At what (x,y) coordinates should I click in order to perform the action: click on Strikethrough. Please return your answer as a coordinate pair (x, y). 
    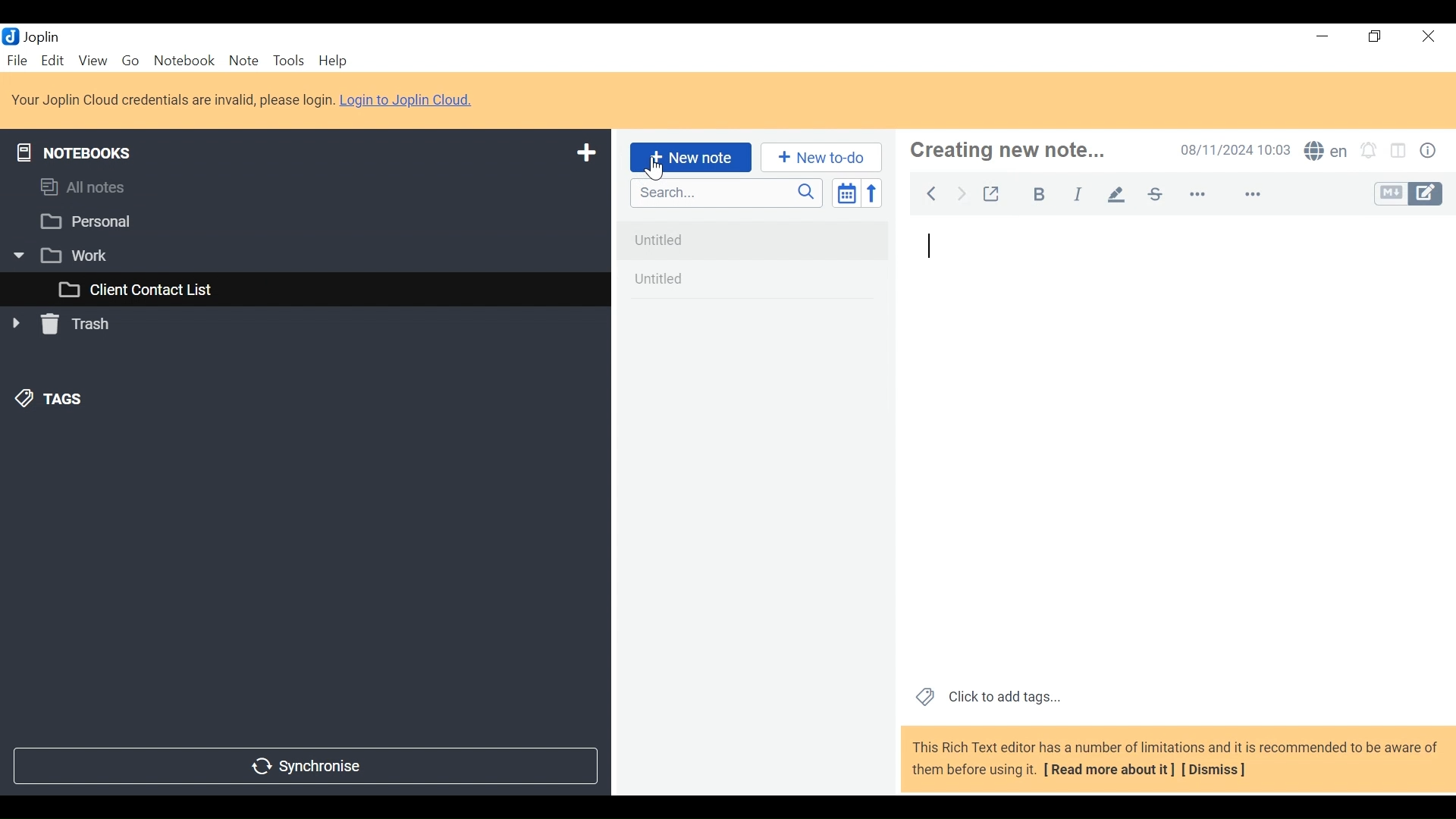
    Looking at the image, I should click on (1155, 194).